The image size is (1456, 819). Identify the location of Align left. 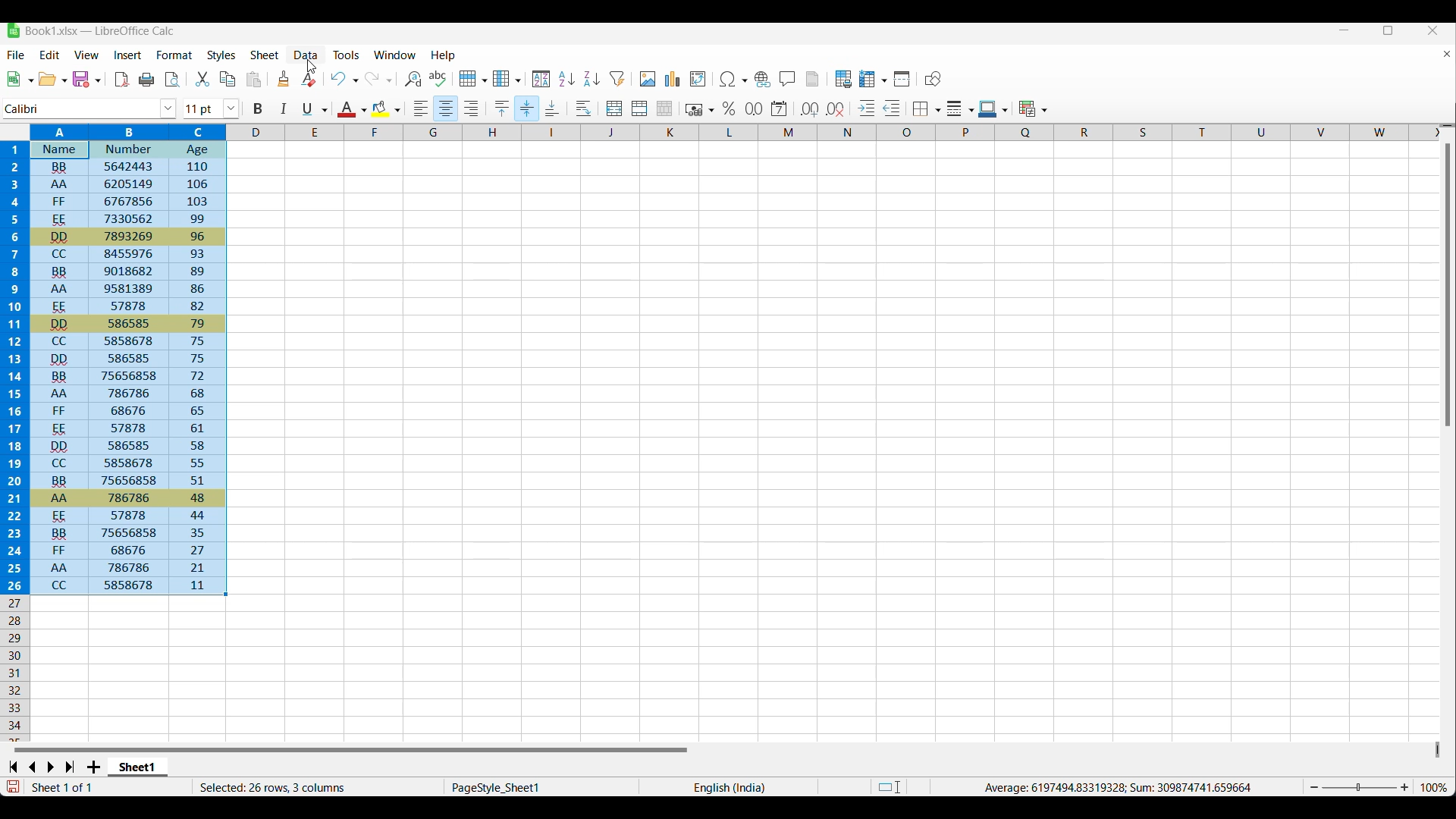
(422, 108).